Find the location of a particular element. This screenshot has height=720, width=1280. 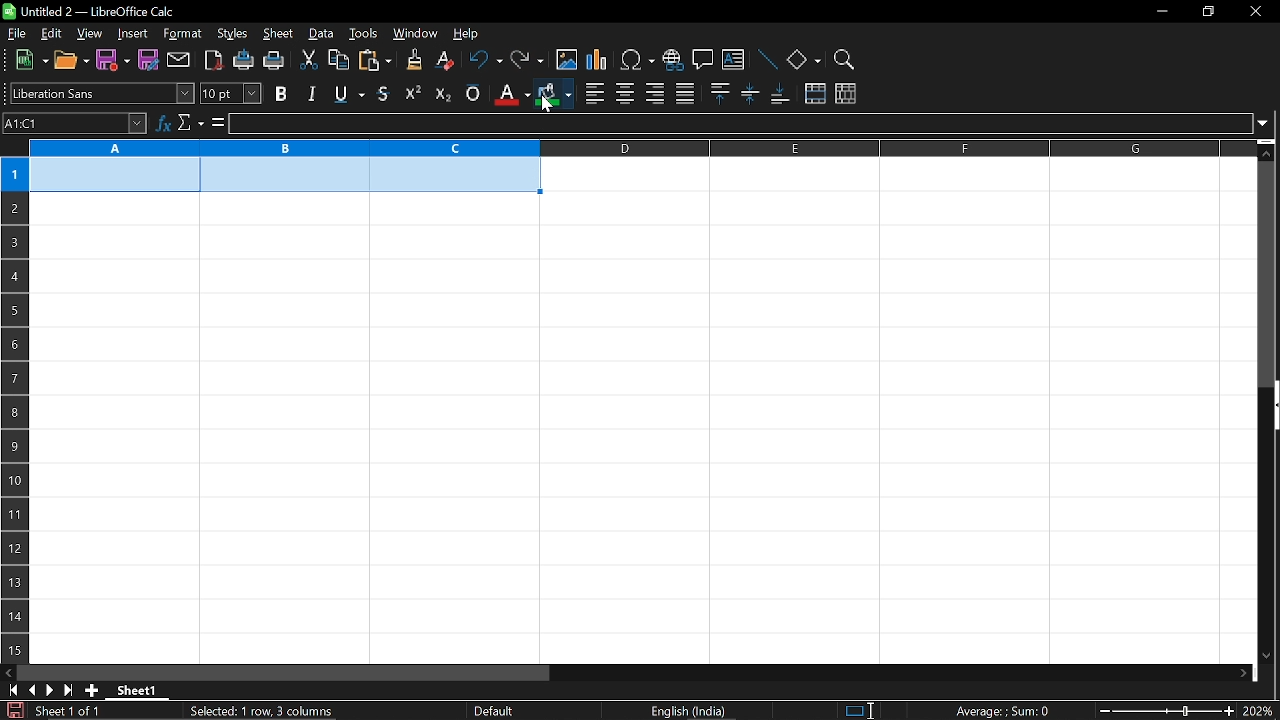

Average:;Sum: 0 is located at coordinates (1002, 710).